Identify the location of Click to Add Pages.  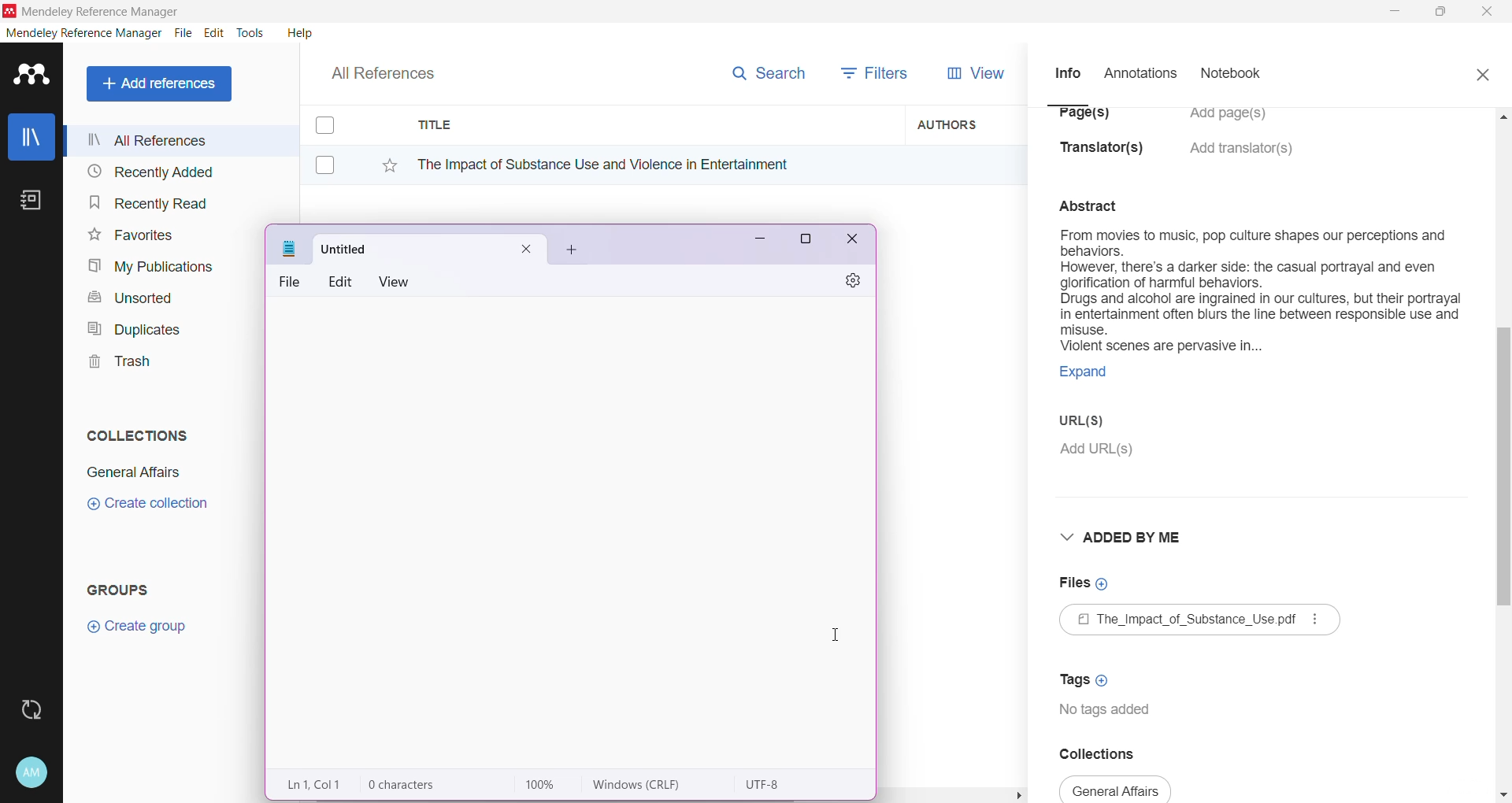
(1236, 121).